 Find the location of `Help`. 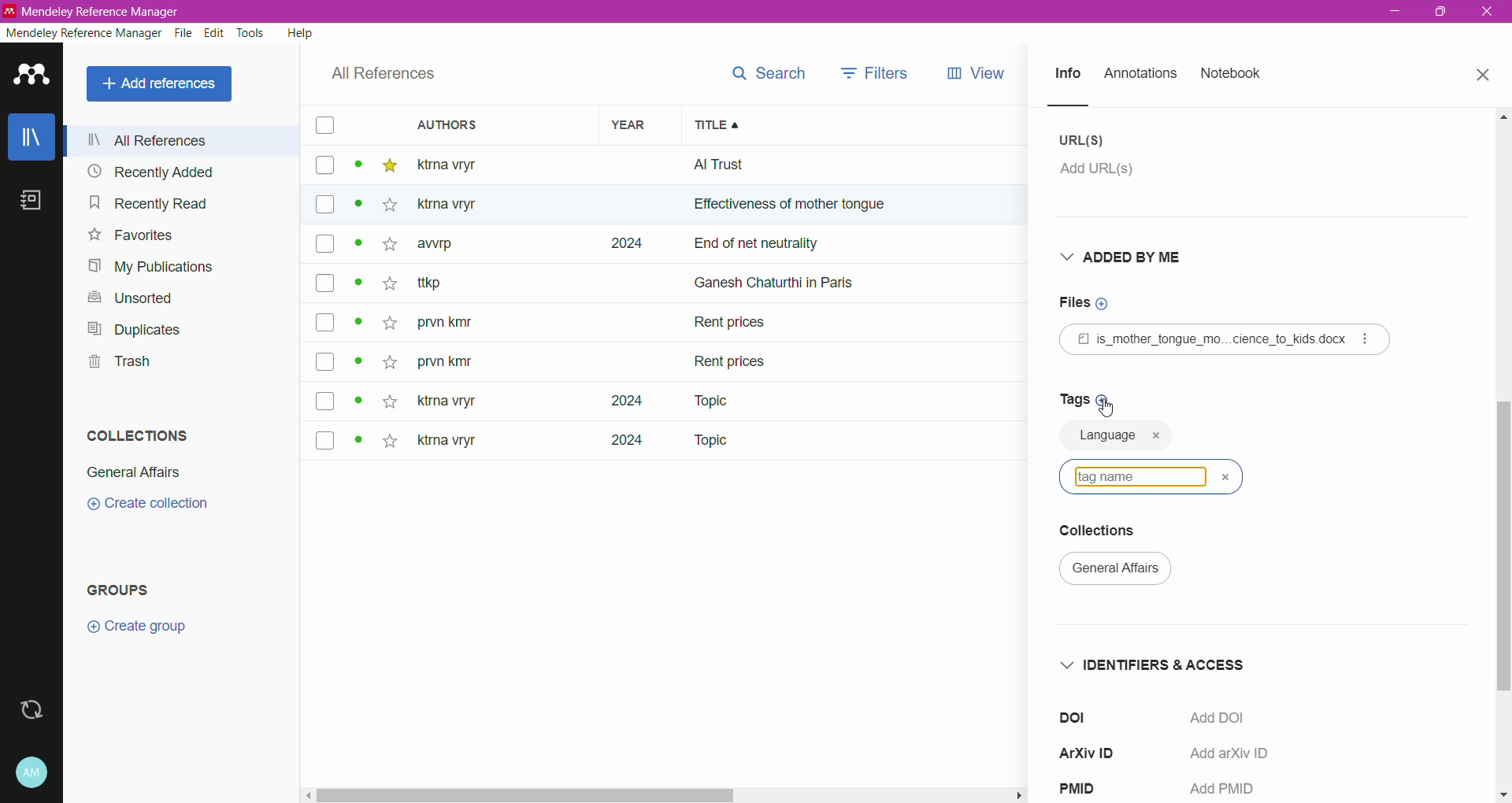

Help is located at coordinates (301, 32).